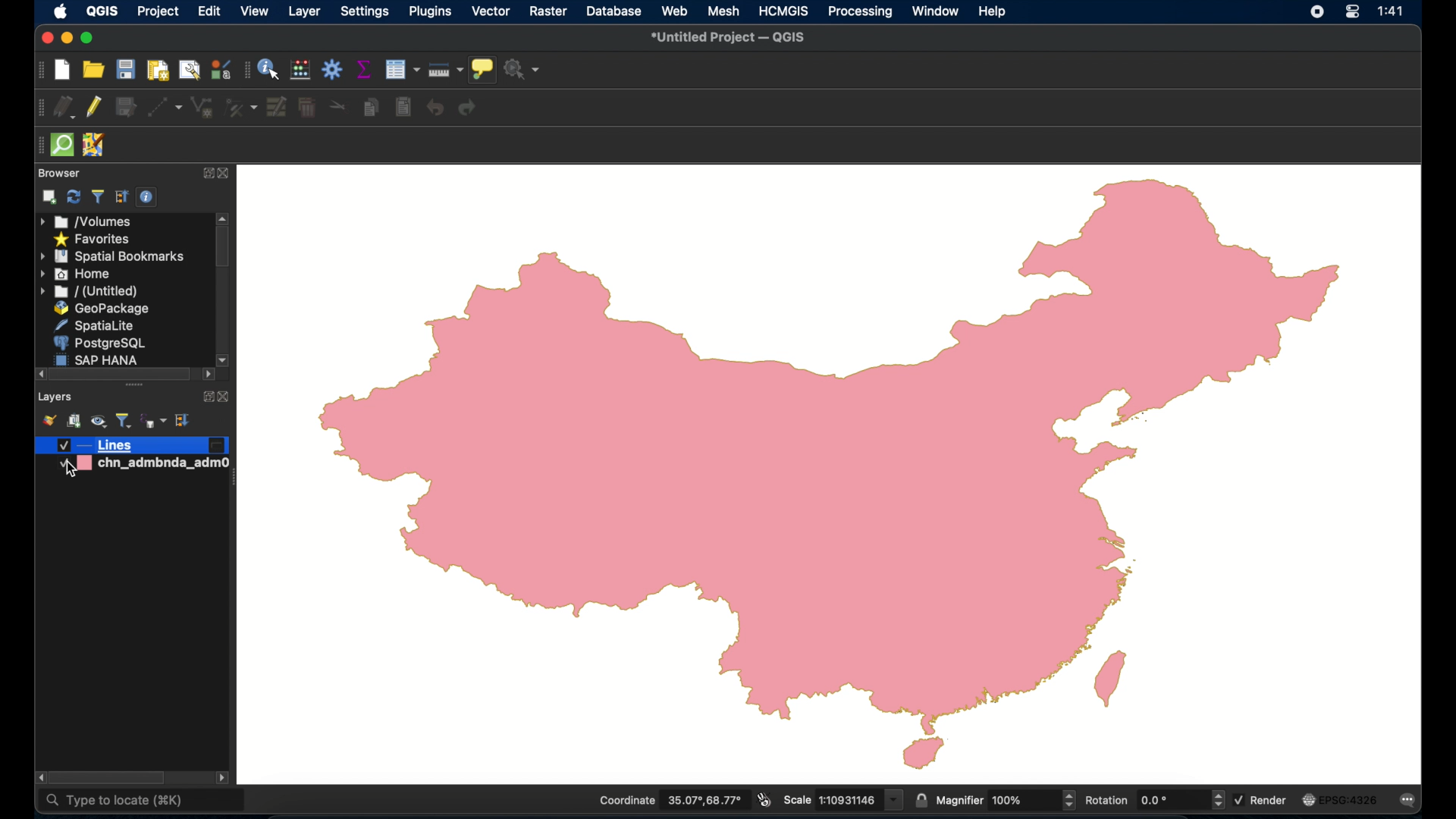  Describe the element at coordinates (1006, 799) in the screenshot. I see `magnifier` at that location.